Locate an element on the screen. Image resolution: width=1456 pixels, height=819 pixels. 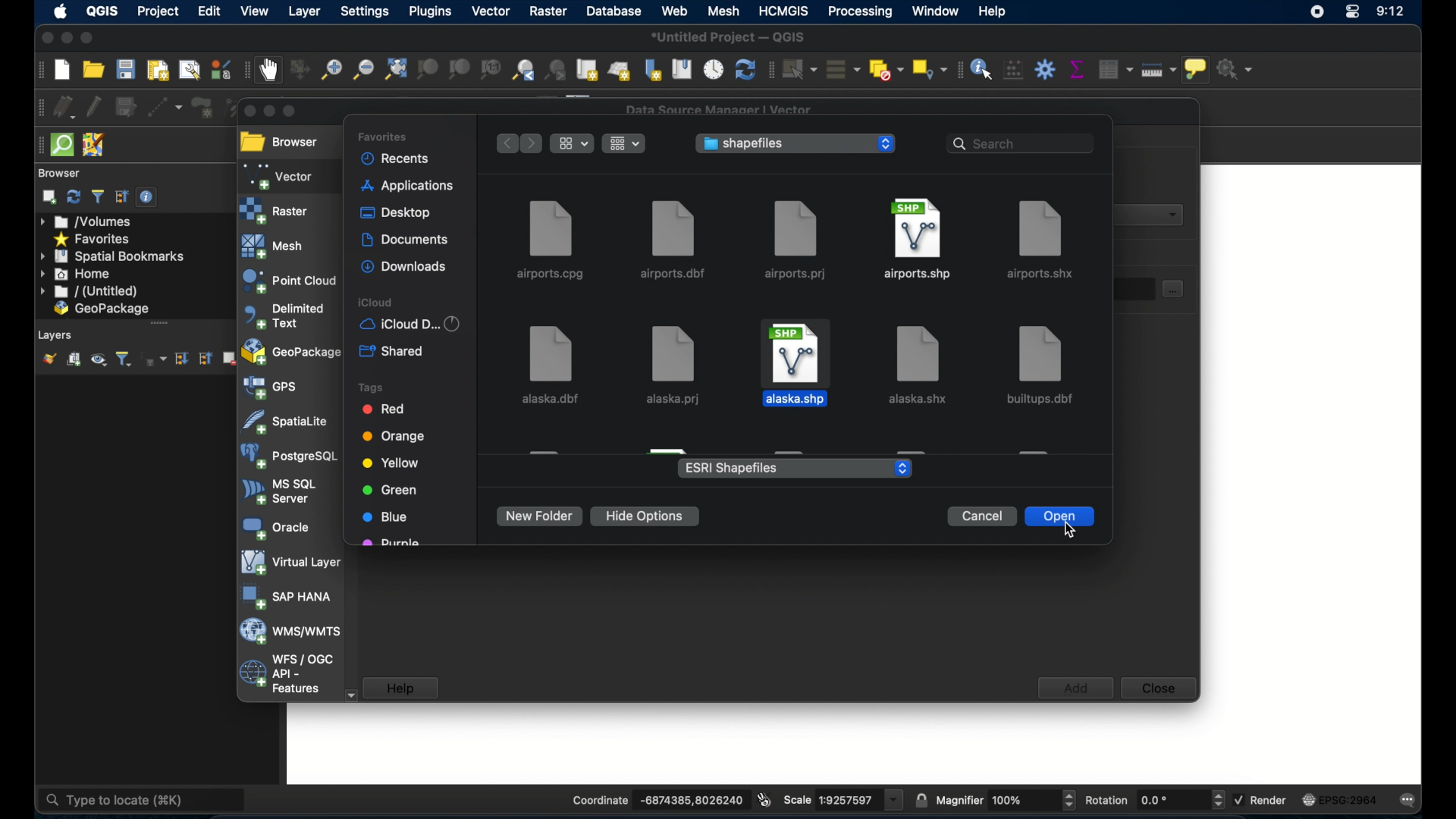
delimited text is located at coordinates (283, 315).